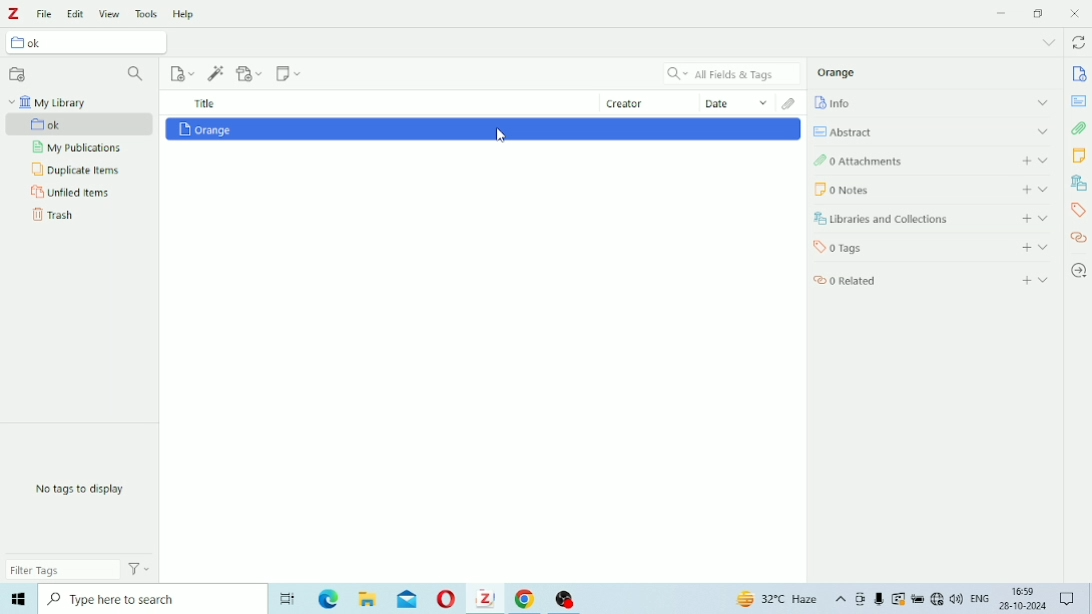  Describe the element at coordinates (63, 569) in the screenshot. I see `Filter Tags` at that location.